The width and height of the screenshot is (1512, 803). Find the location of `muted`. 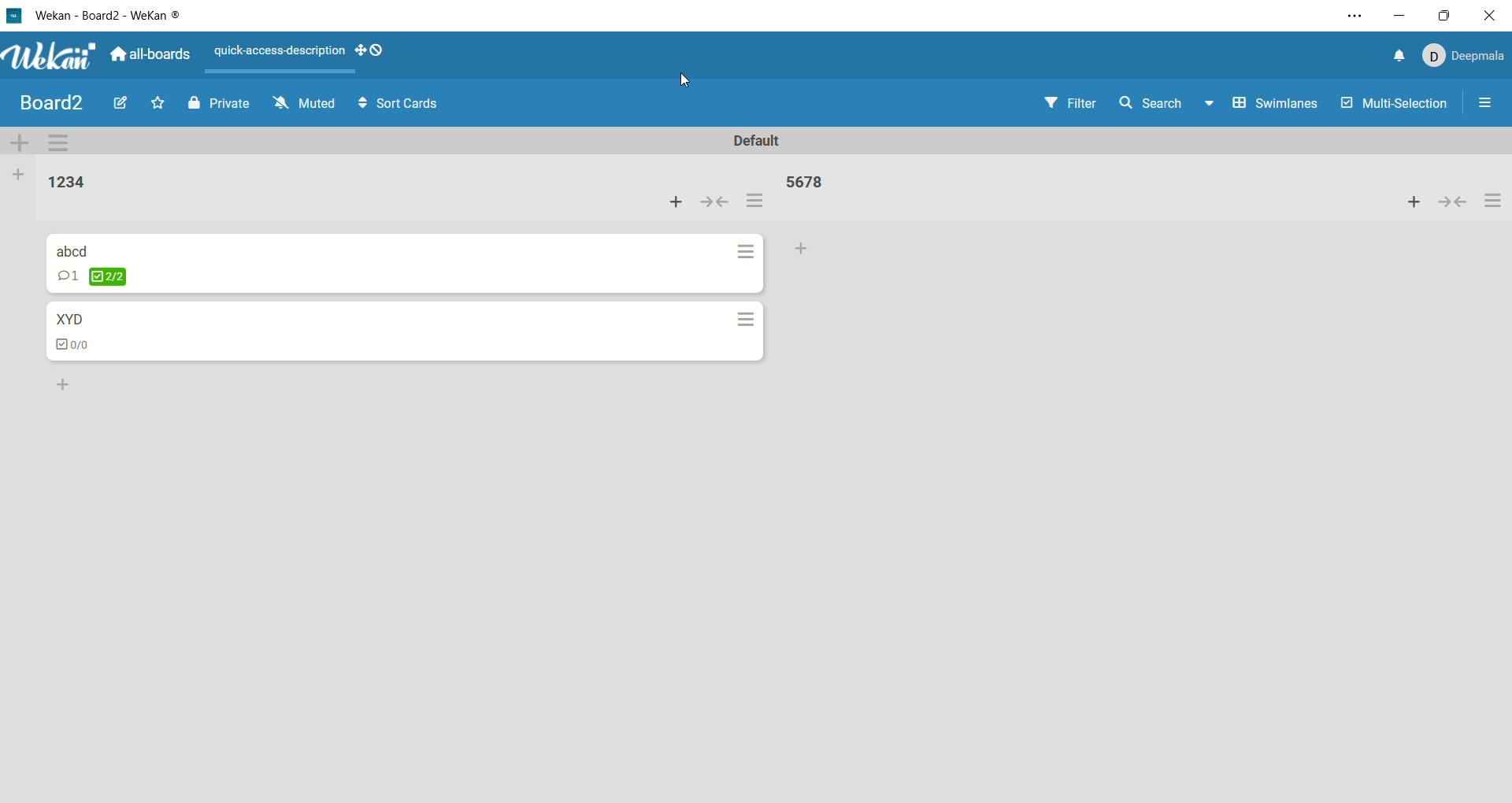

muted is located at coordinates (297, 104).